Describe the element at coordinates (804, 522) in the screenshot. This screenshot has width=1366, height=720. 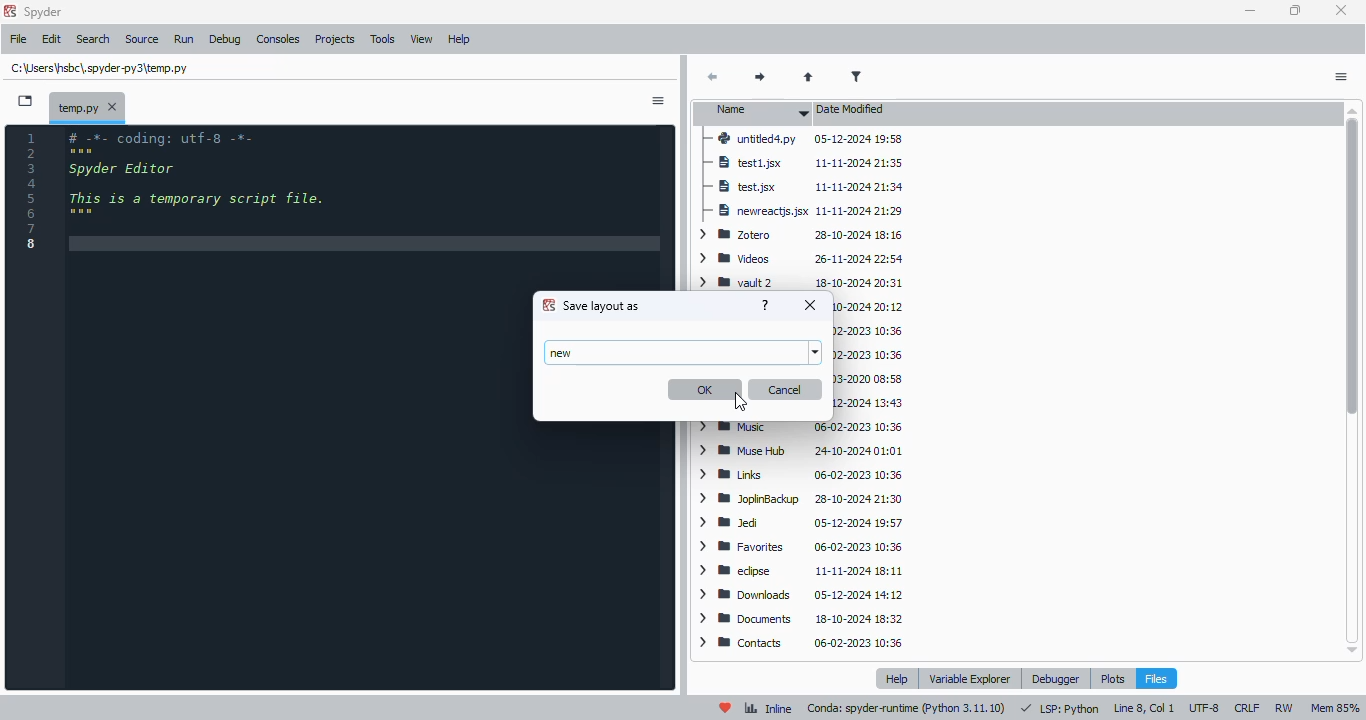
I see `Jed` at that location.